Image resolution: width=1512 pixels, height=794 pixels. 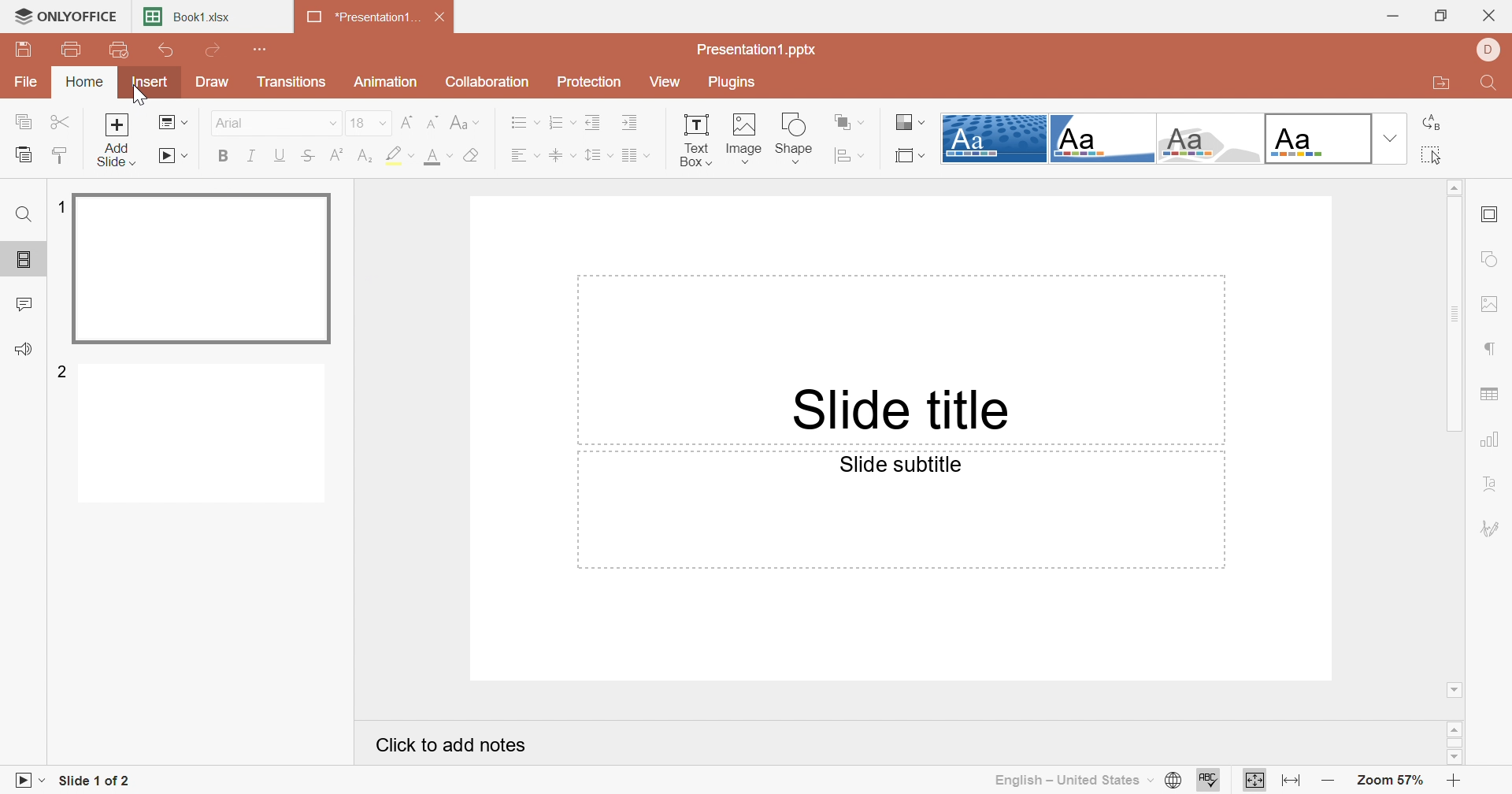 I want to click on Close, so click(x=445, y=20).